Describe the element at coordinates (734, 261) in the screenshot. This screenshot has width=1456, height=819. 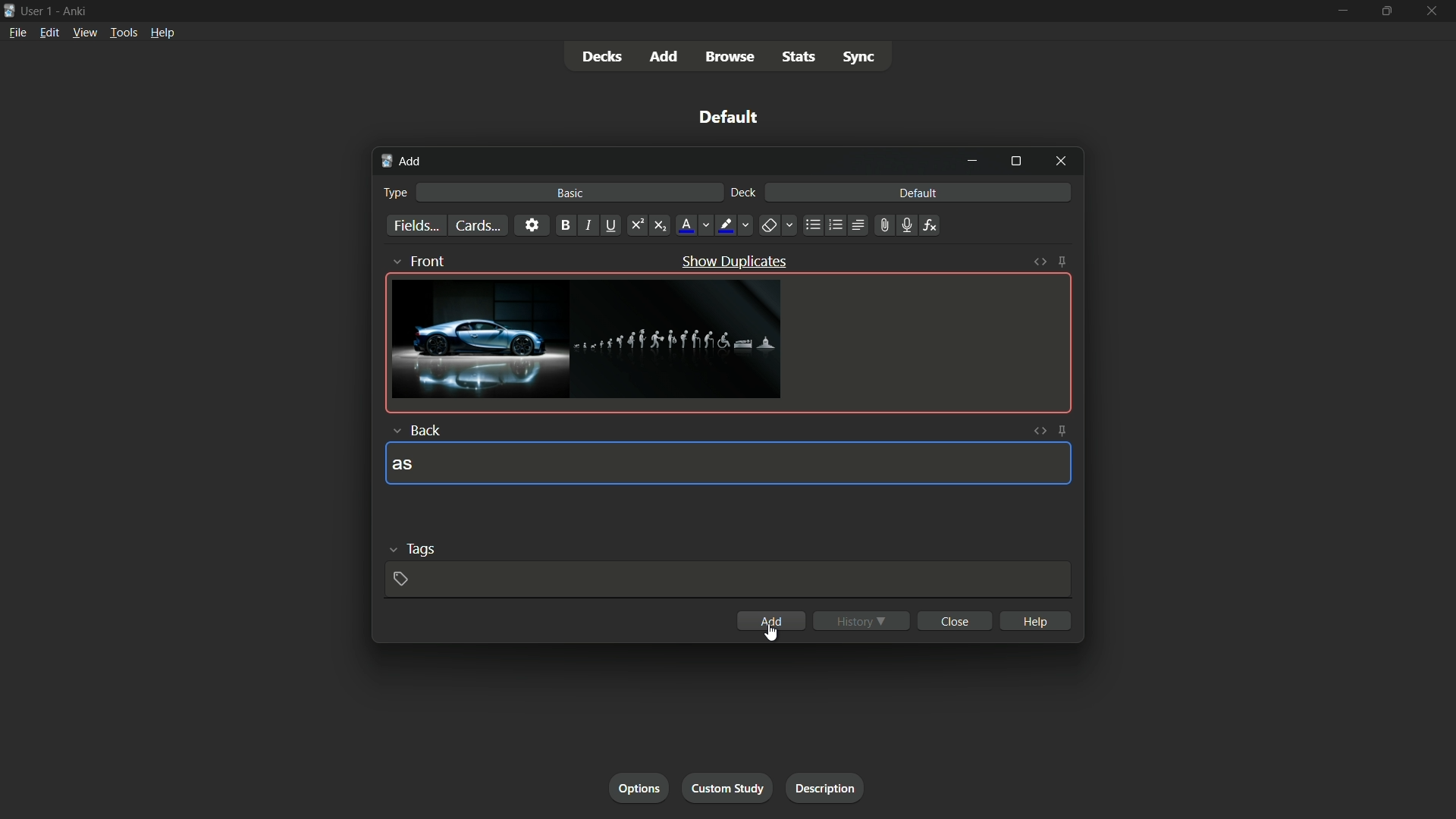
I see `Show Duplicates` at that location.